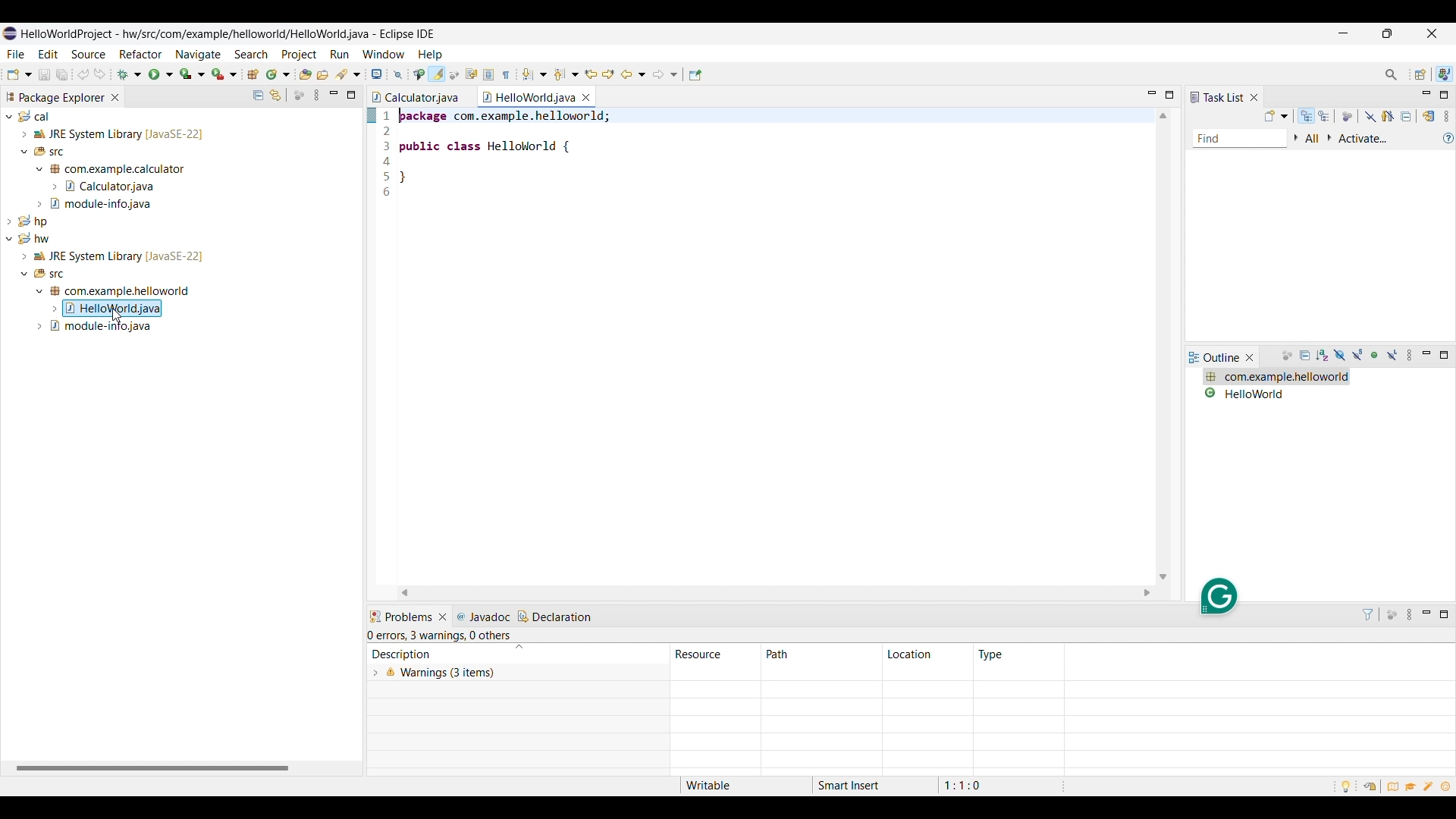  Describe the element at coordinates (1444, 74) in the screenshot. I see `Java, current selection` at that location.